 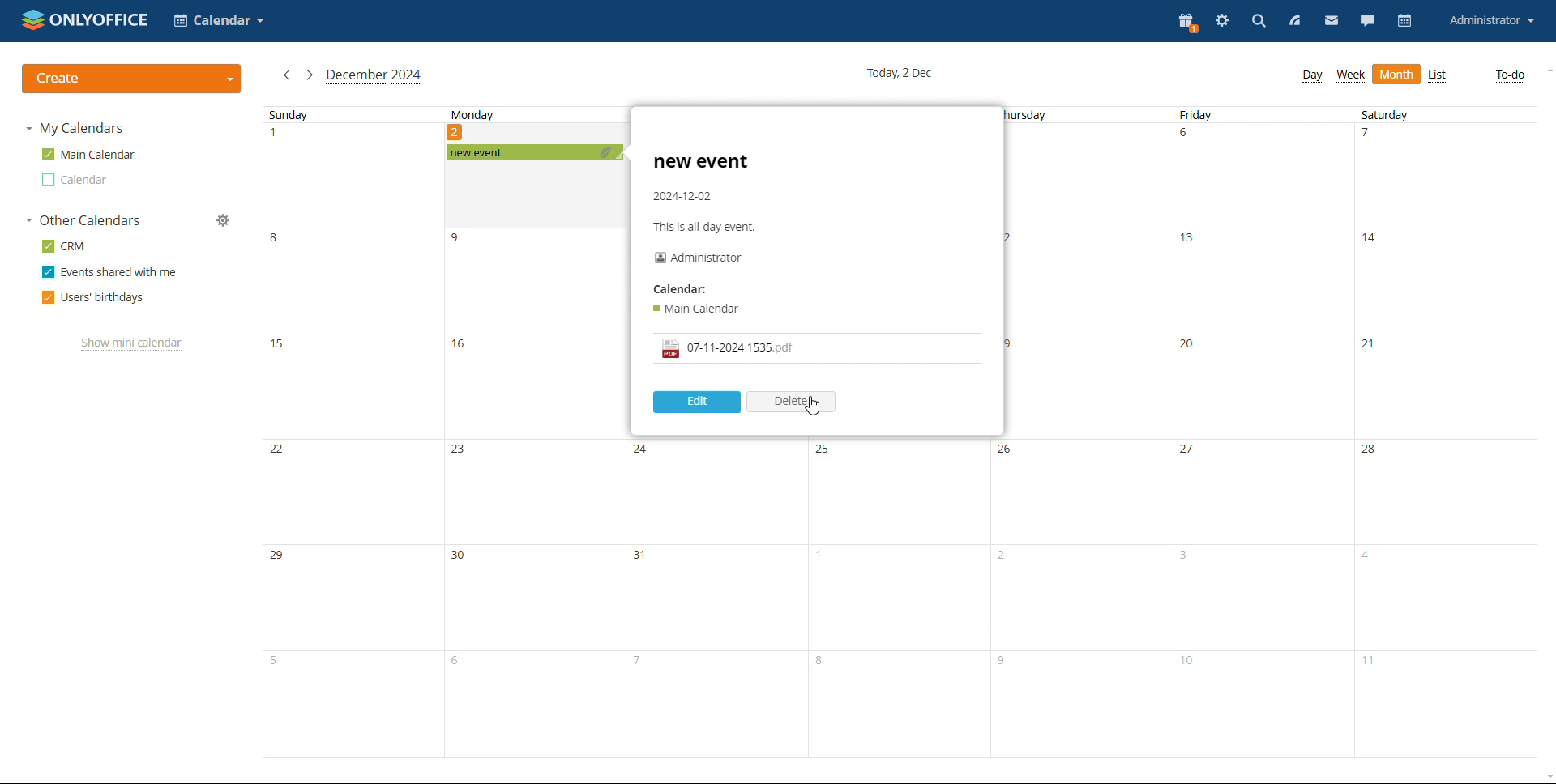 What do you see at coordinates (1368, 21) in the screenshot?
I see `chat` at bounding box center [1368, 21].